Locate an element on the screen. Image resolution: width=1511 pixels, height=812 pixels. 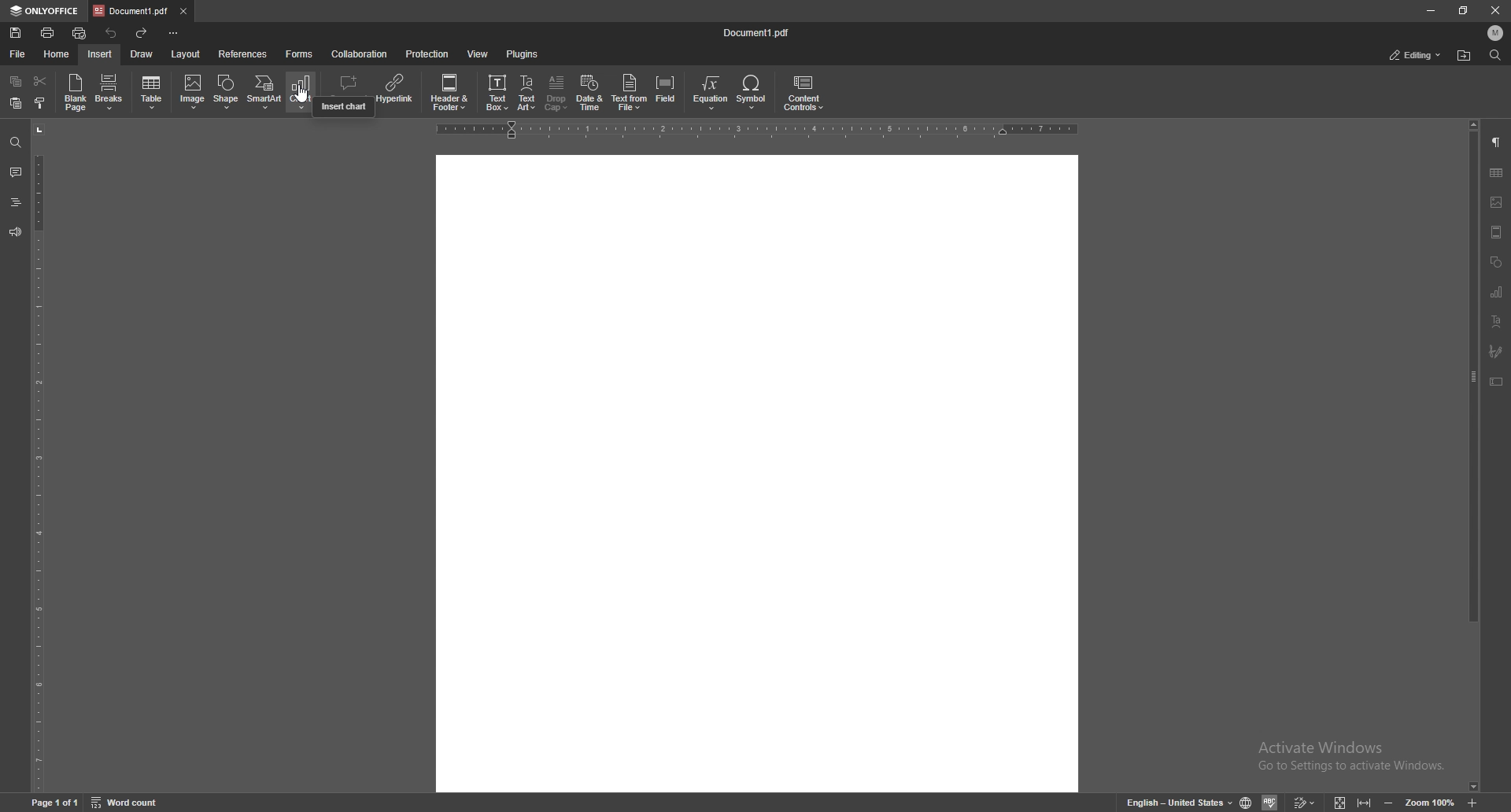
feedback is located at coordinates (15, 232).